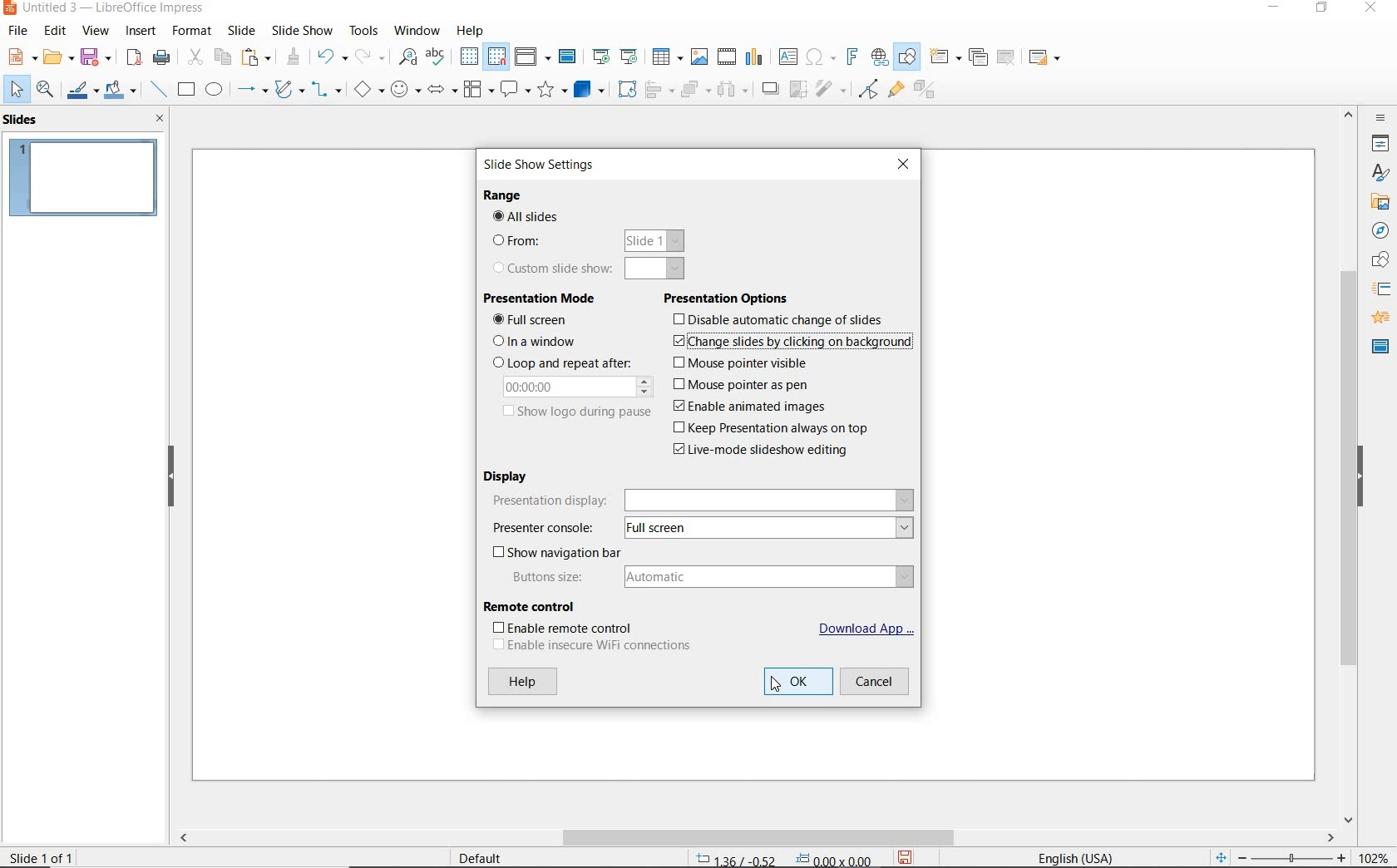 This screenshot has height=868, width=1397. What do you see at coordinates (1380, 232) in the screenshot?
I see `NAVIGATOR` at bounding box center [1380, 232].